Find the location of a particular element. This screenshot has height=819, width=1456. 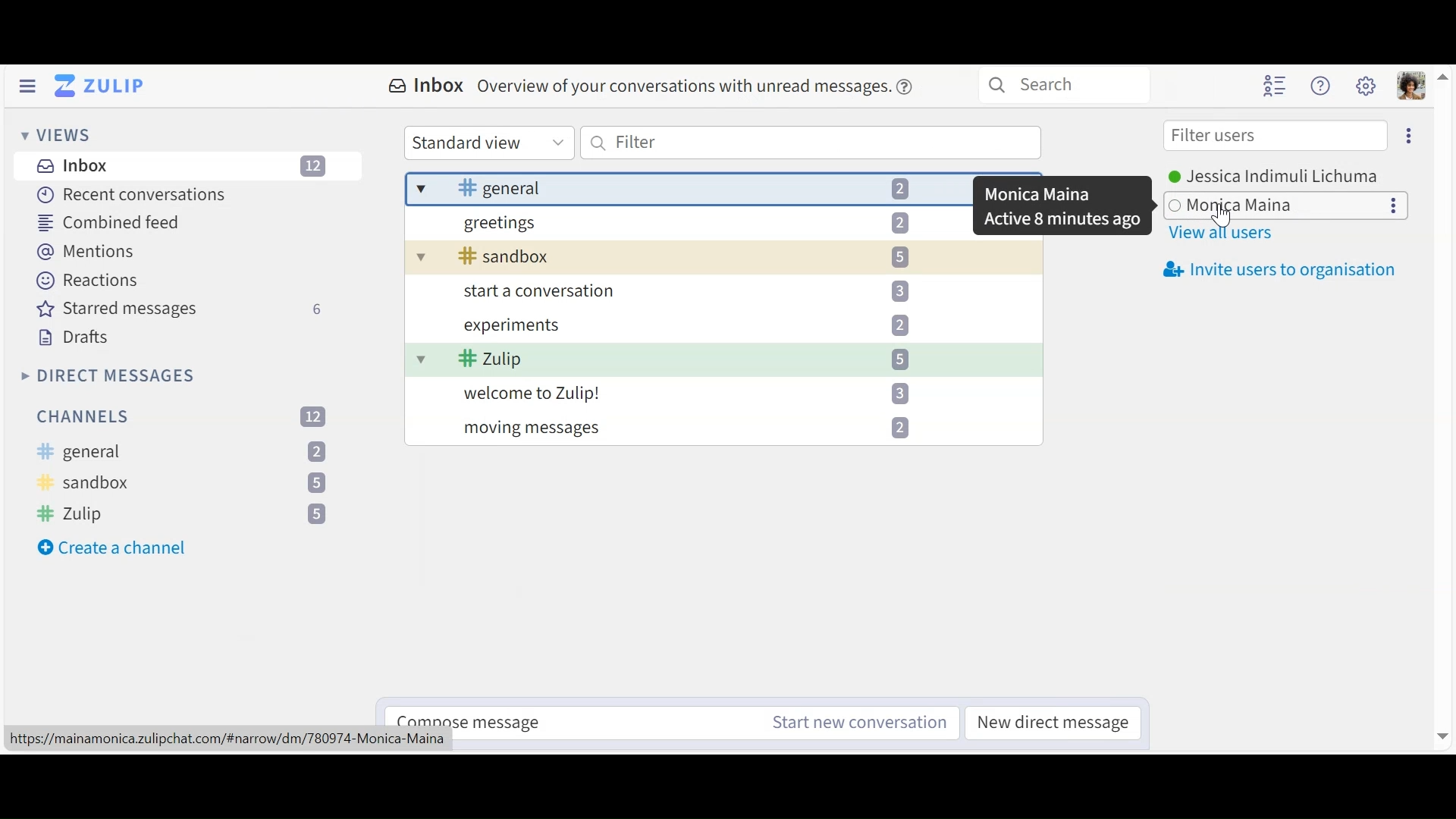

User Options is located at coordinates (1290, 180).